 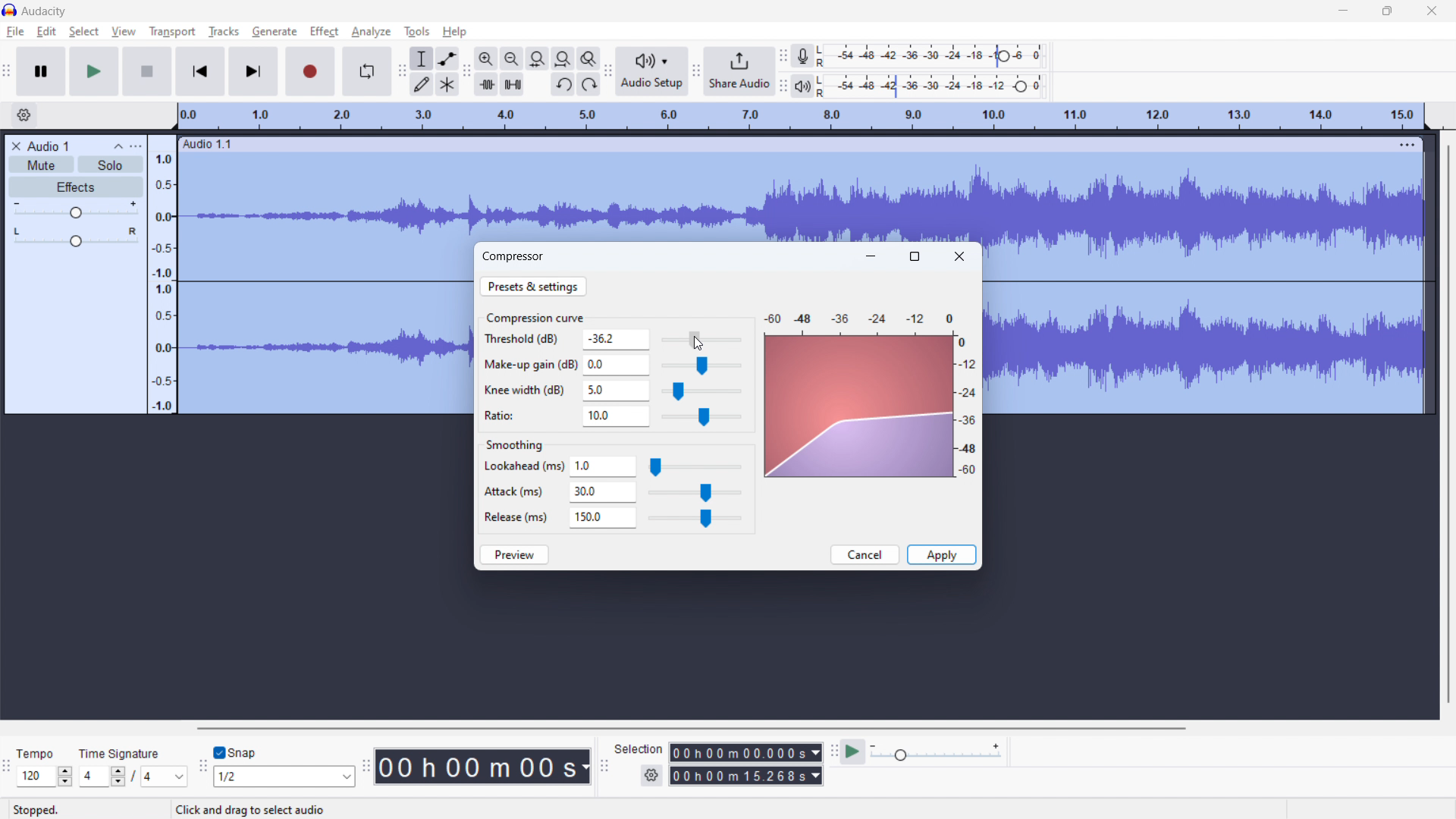 I want to click on play, so click(x=94, y=71).